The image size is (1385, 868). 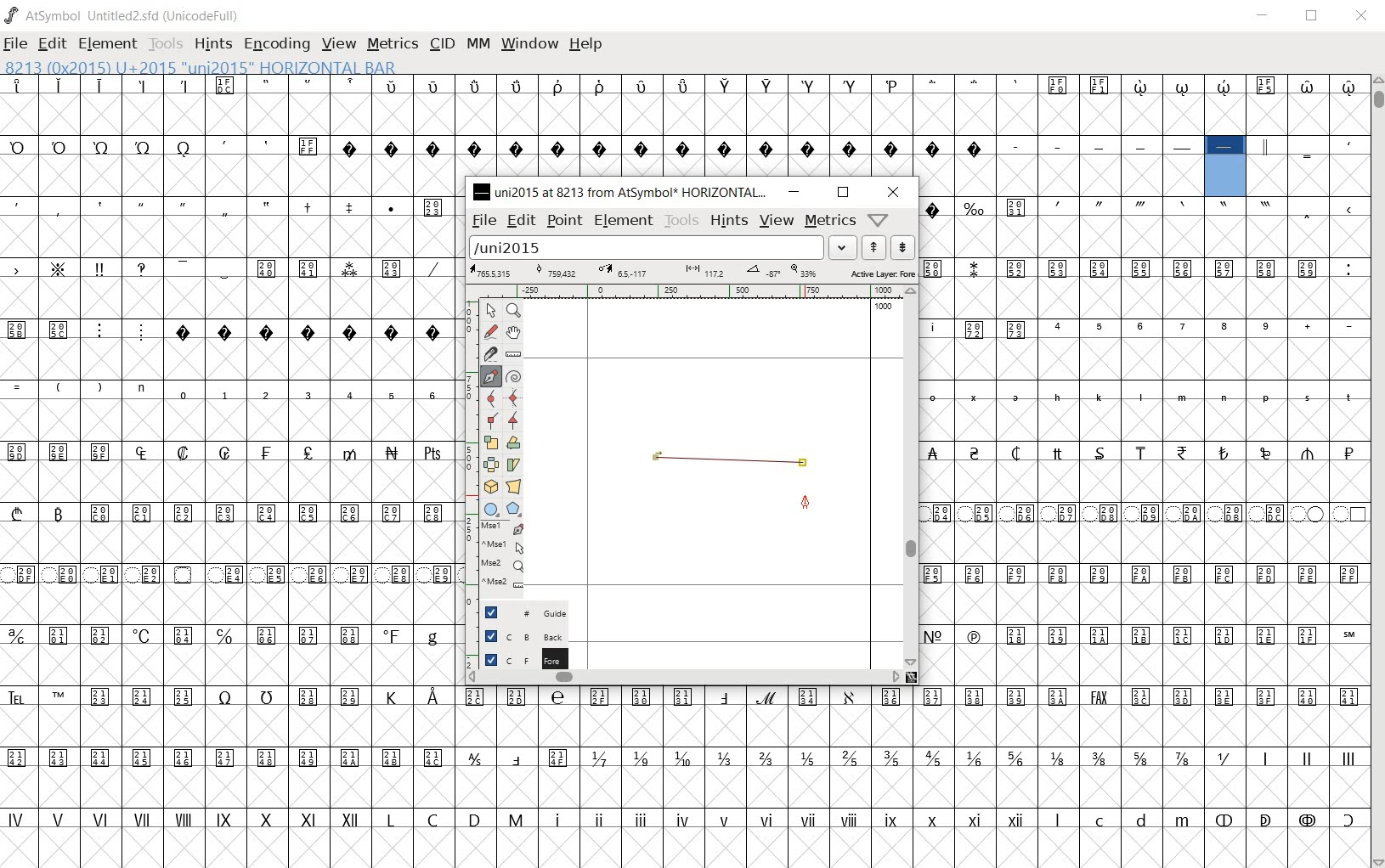 I want to click on Rotate the selection, so click(x=515, y=465).